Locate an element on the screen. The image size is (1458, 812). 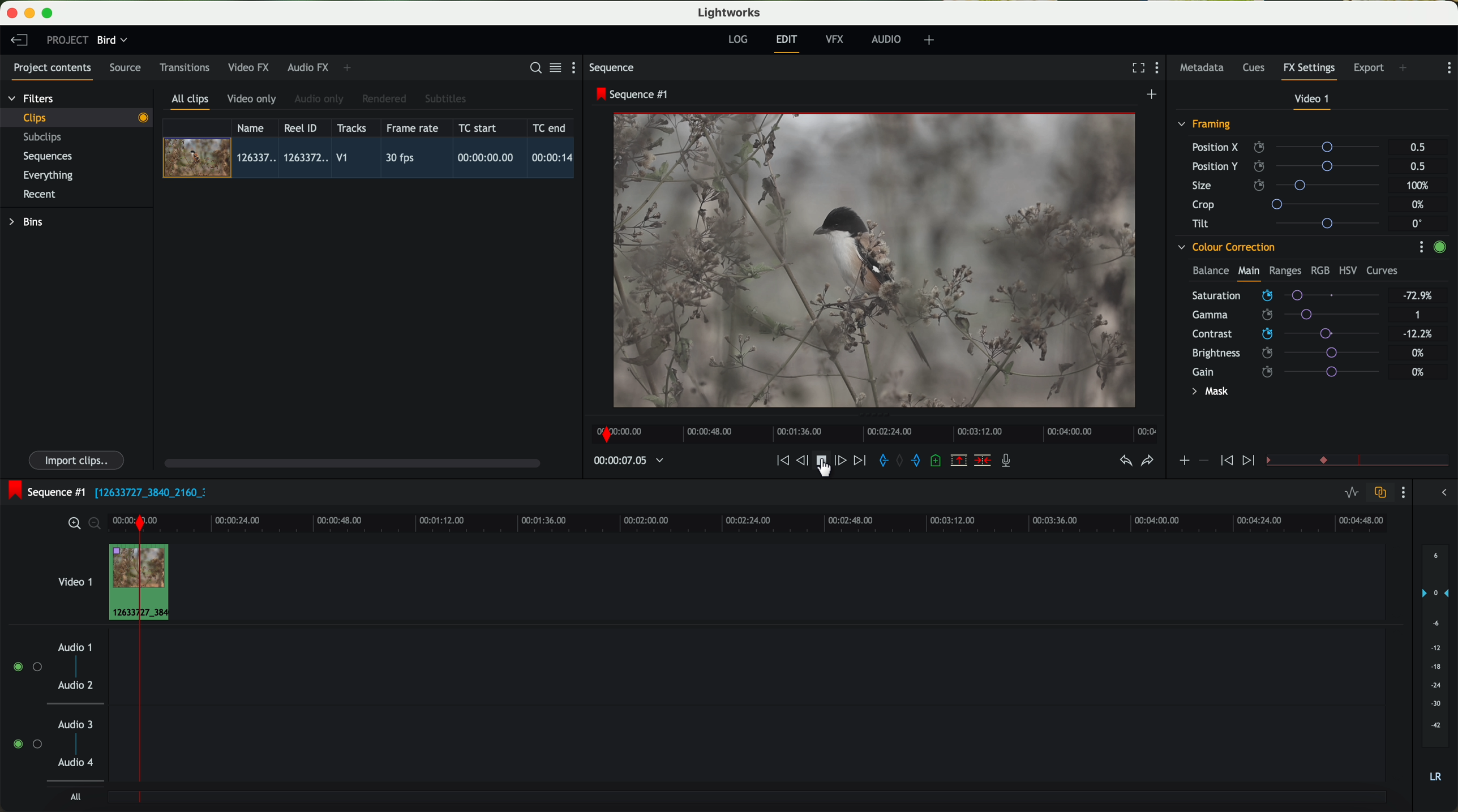
0° is located at coordinates (1418, 223).